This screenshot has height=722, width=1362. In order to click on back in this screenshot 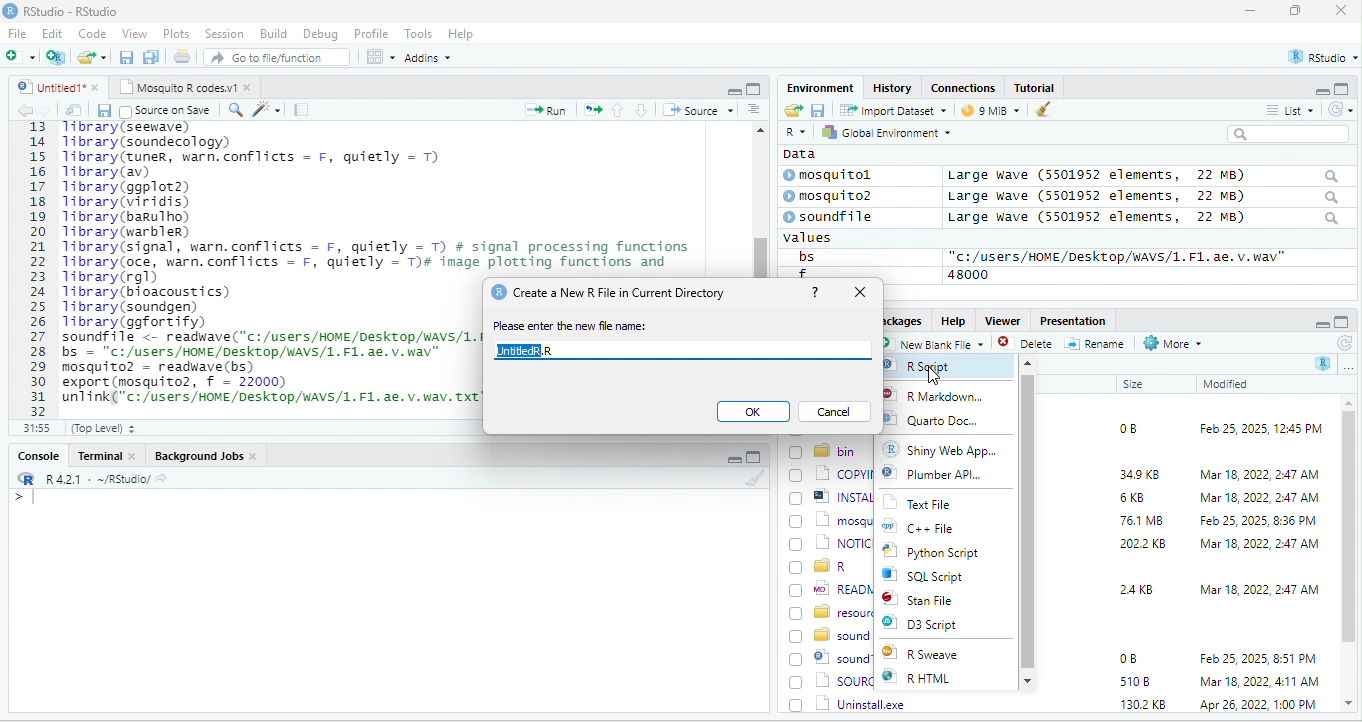, I will do `click(28, 111)`.